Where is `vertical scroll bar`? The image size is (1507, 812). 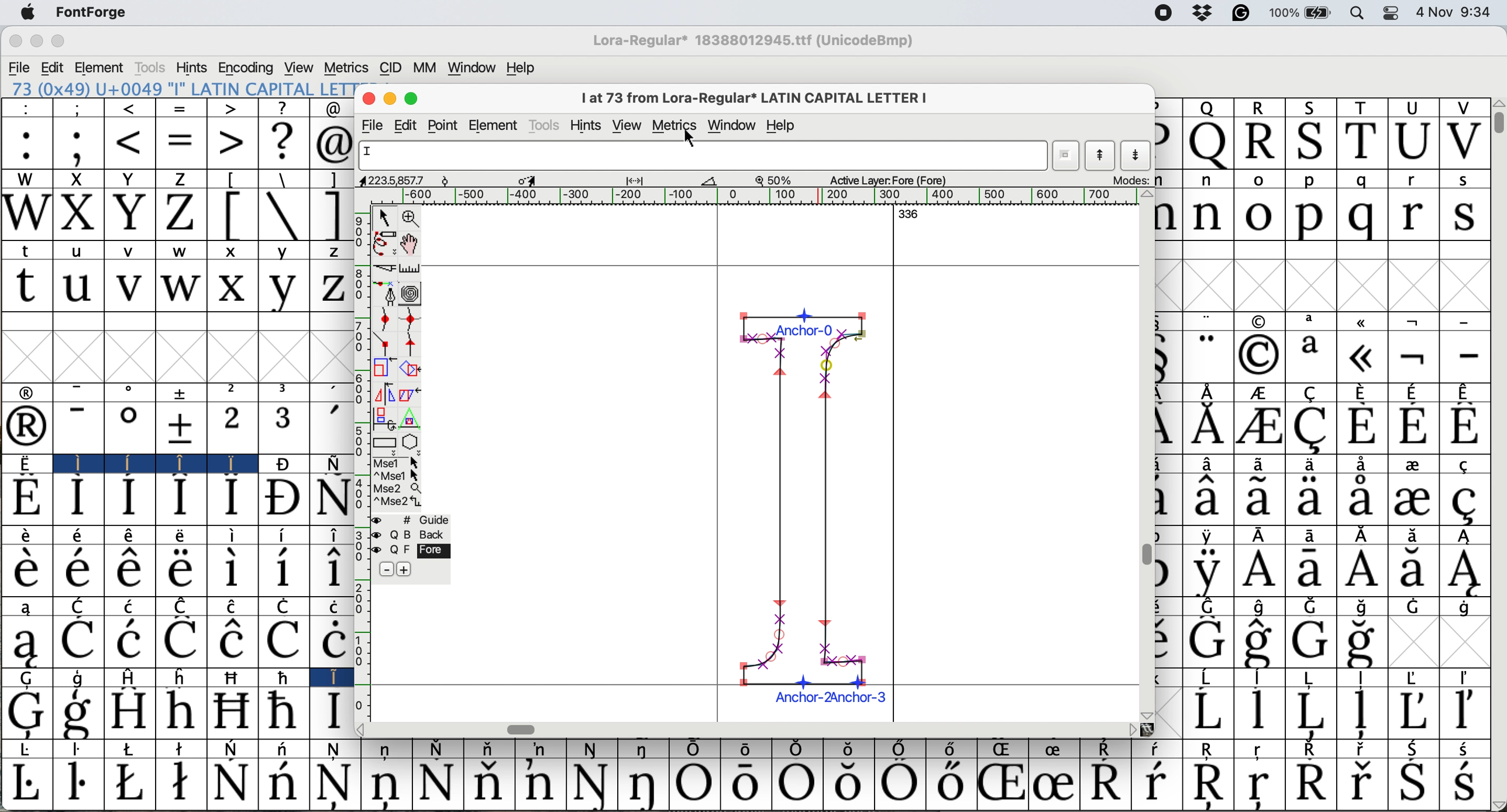 vertical scroll bar is located at coordinates (1498, 126).